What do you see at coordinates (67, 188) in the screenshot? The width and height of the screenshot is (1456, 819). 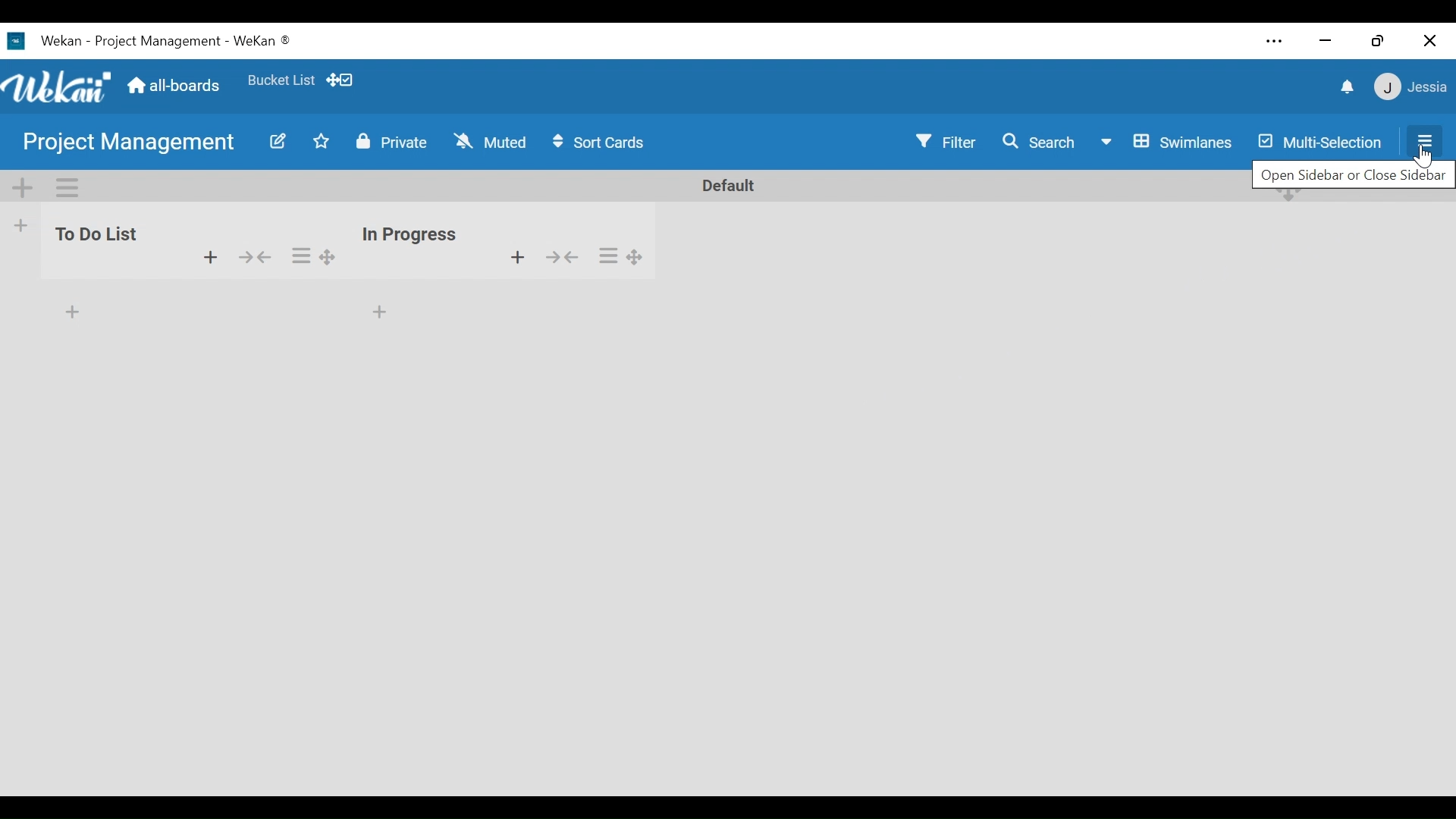 I see `Swimlane actions` at bounding box center [67, 188].